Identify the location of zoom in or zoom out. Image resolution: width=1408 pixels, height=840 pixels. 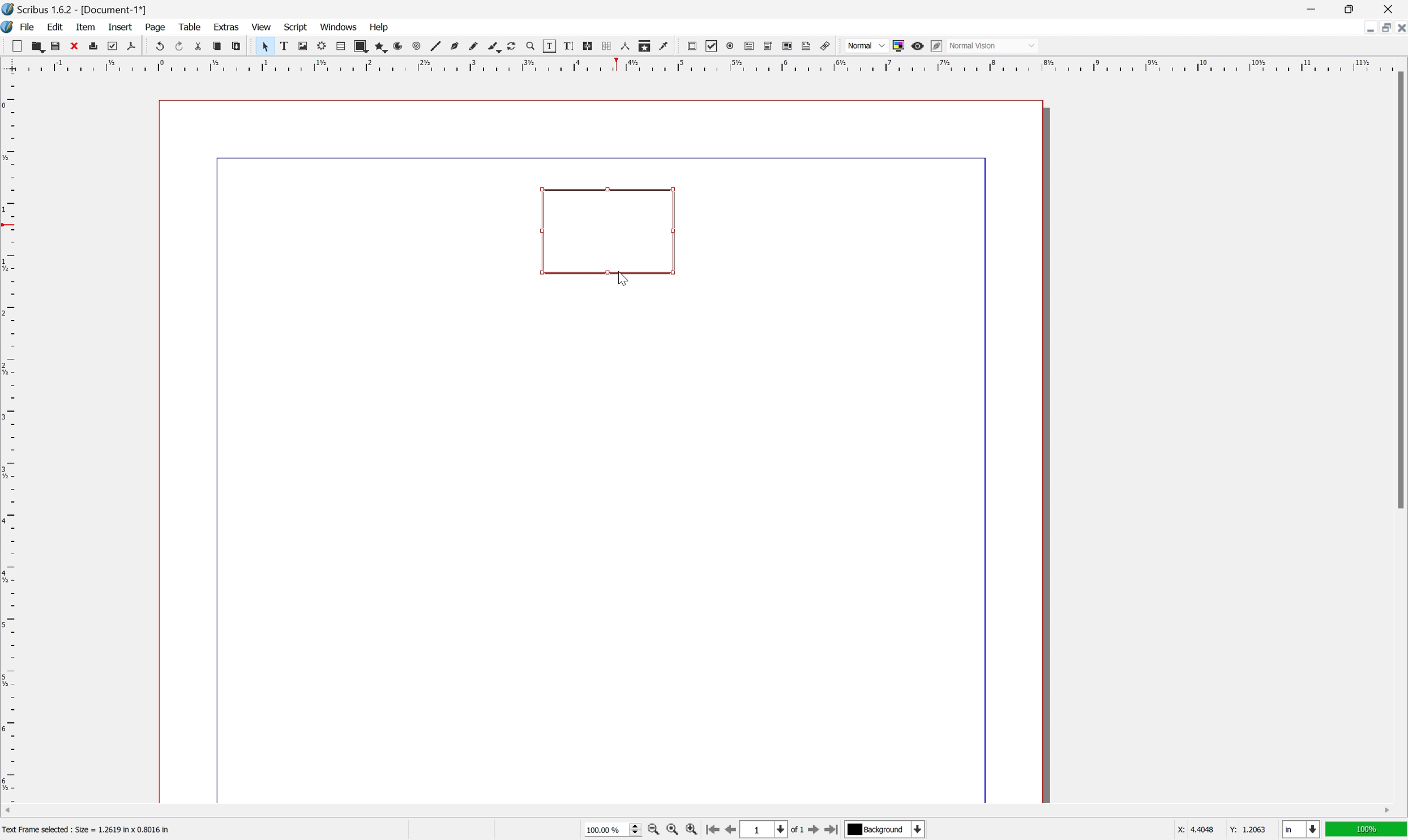
(532, 46).